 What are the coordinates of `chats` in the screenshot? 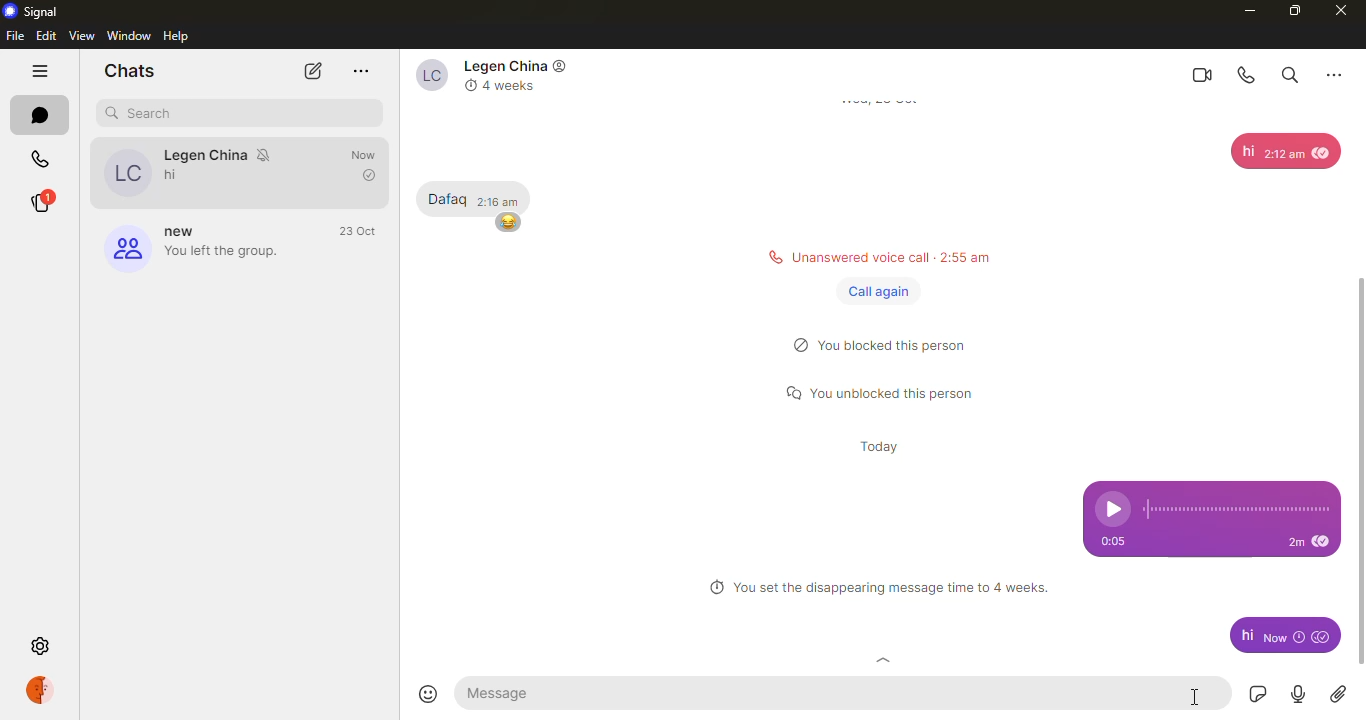 It's located at (129, 70).